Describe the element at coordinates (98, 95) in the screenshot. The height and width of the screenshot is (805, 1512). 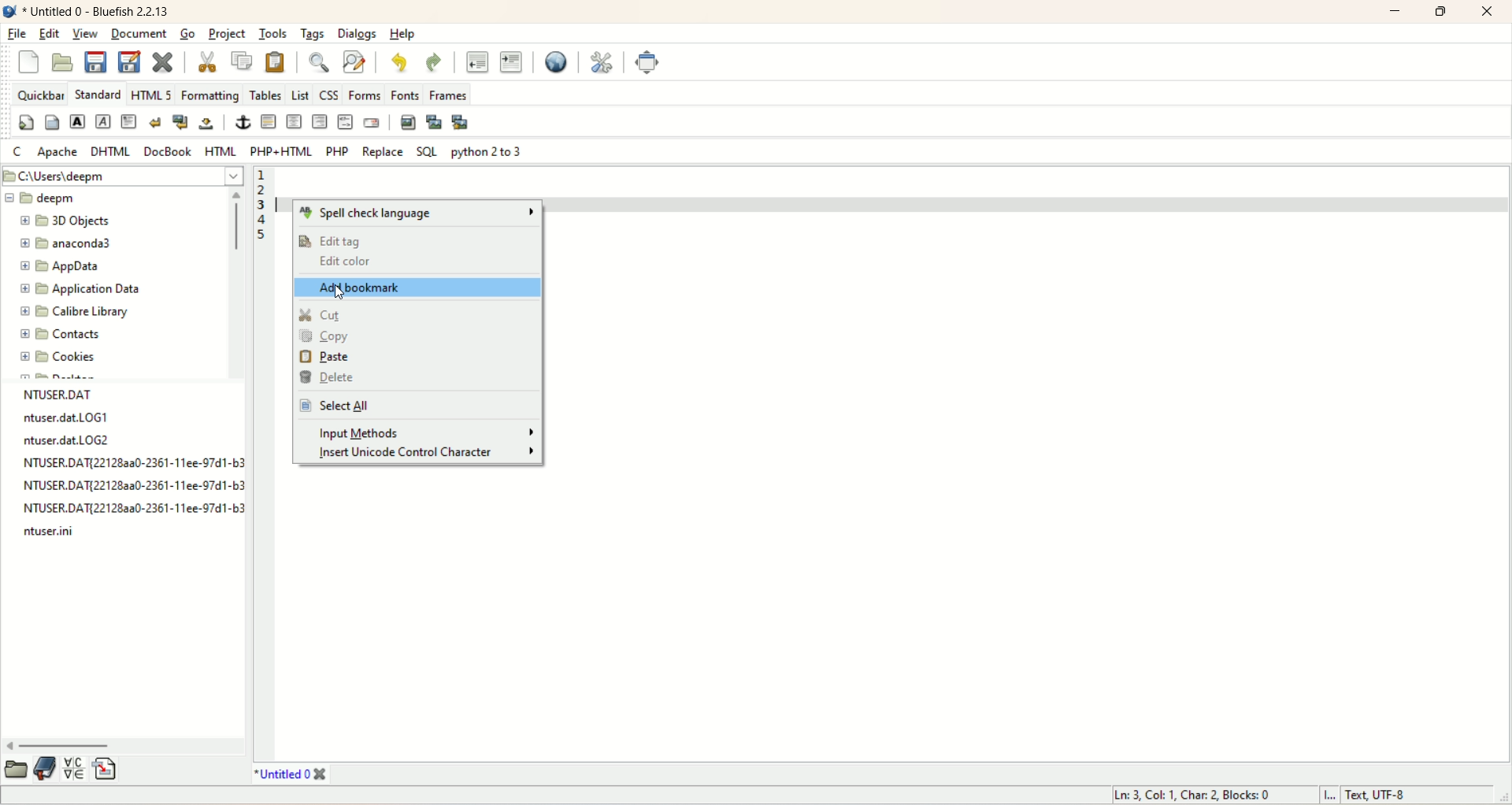
I see `standard` at that location.